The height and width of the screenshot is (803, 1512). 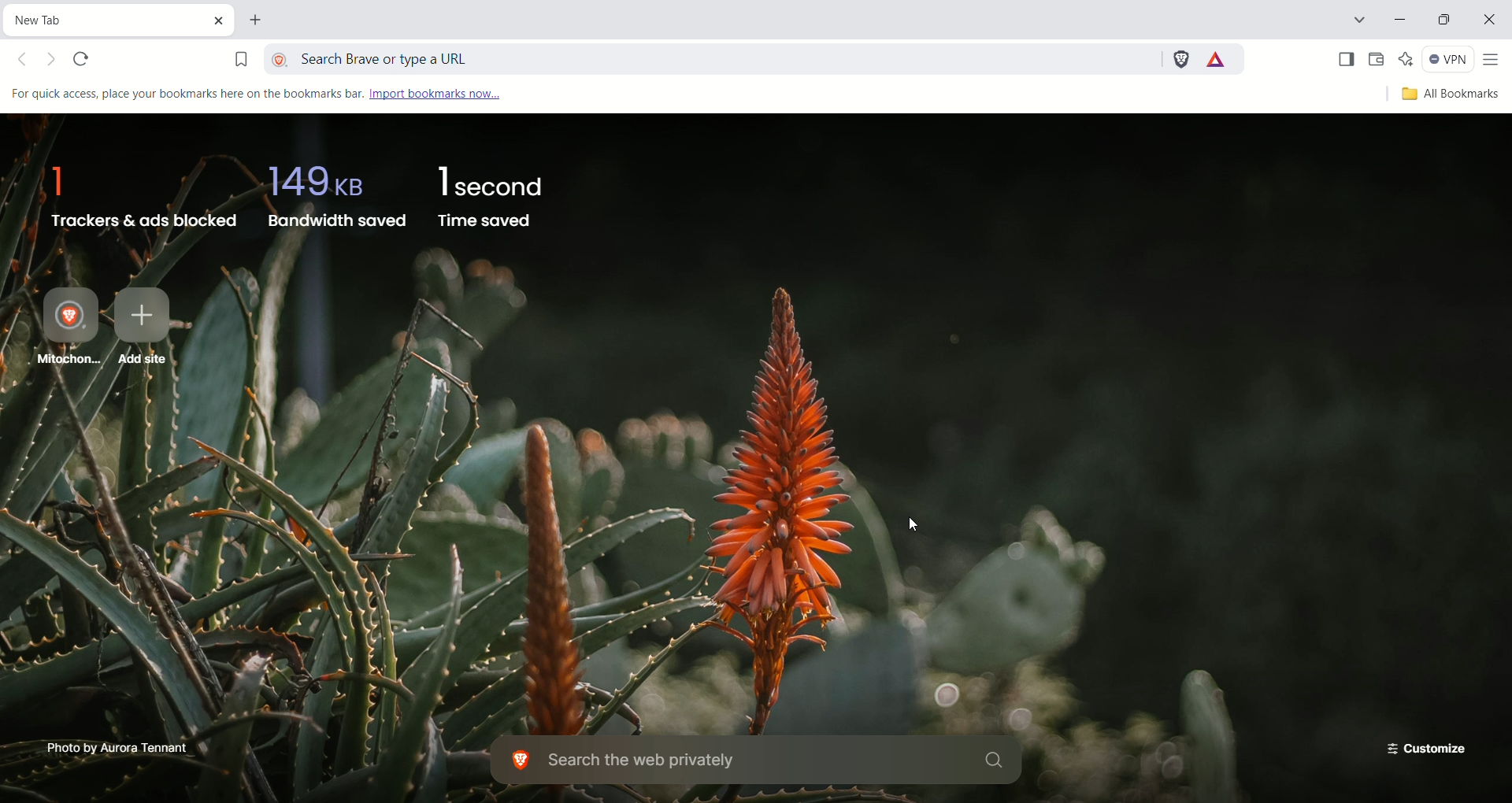 I want to click on import bookmarks now, so click(x=450, y=93).